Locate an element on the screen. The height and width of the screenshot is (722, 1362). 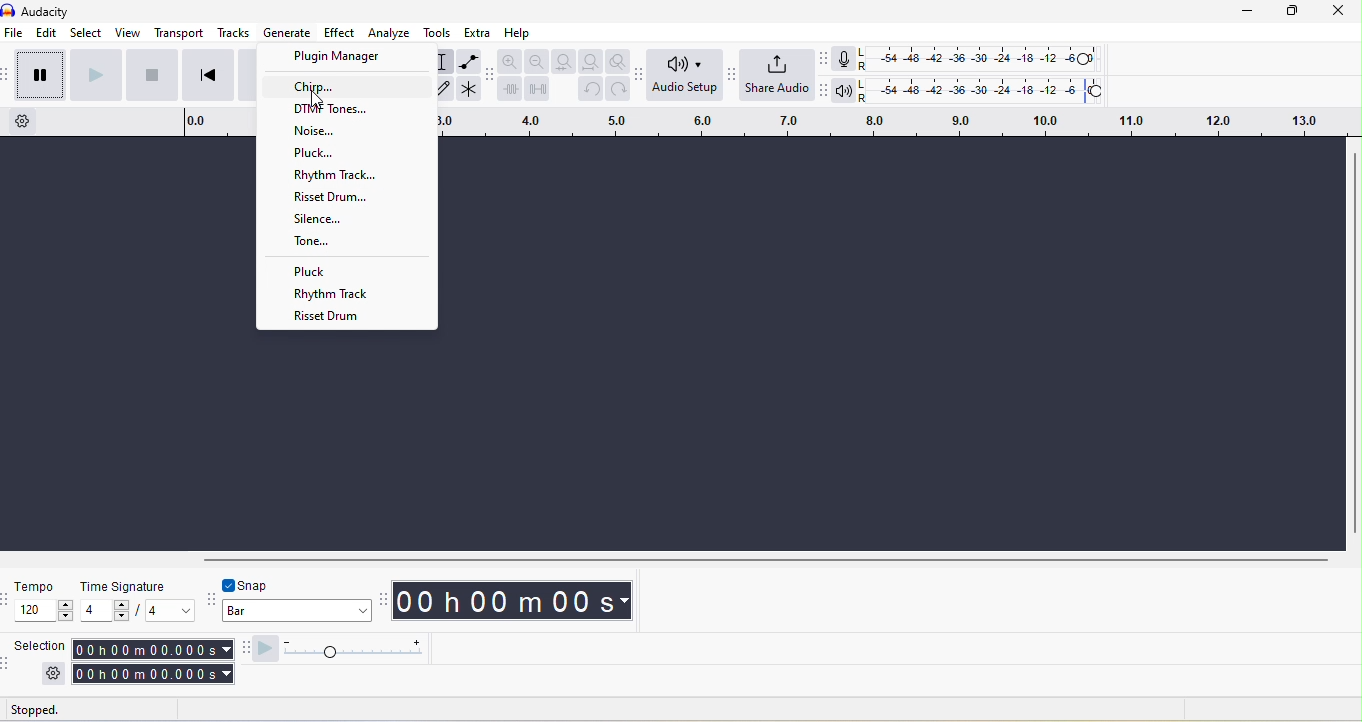
risset drum is located at coordinates (329, 316).